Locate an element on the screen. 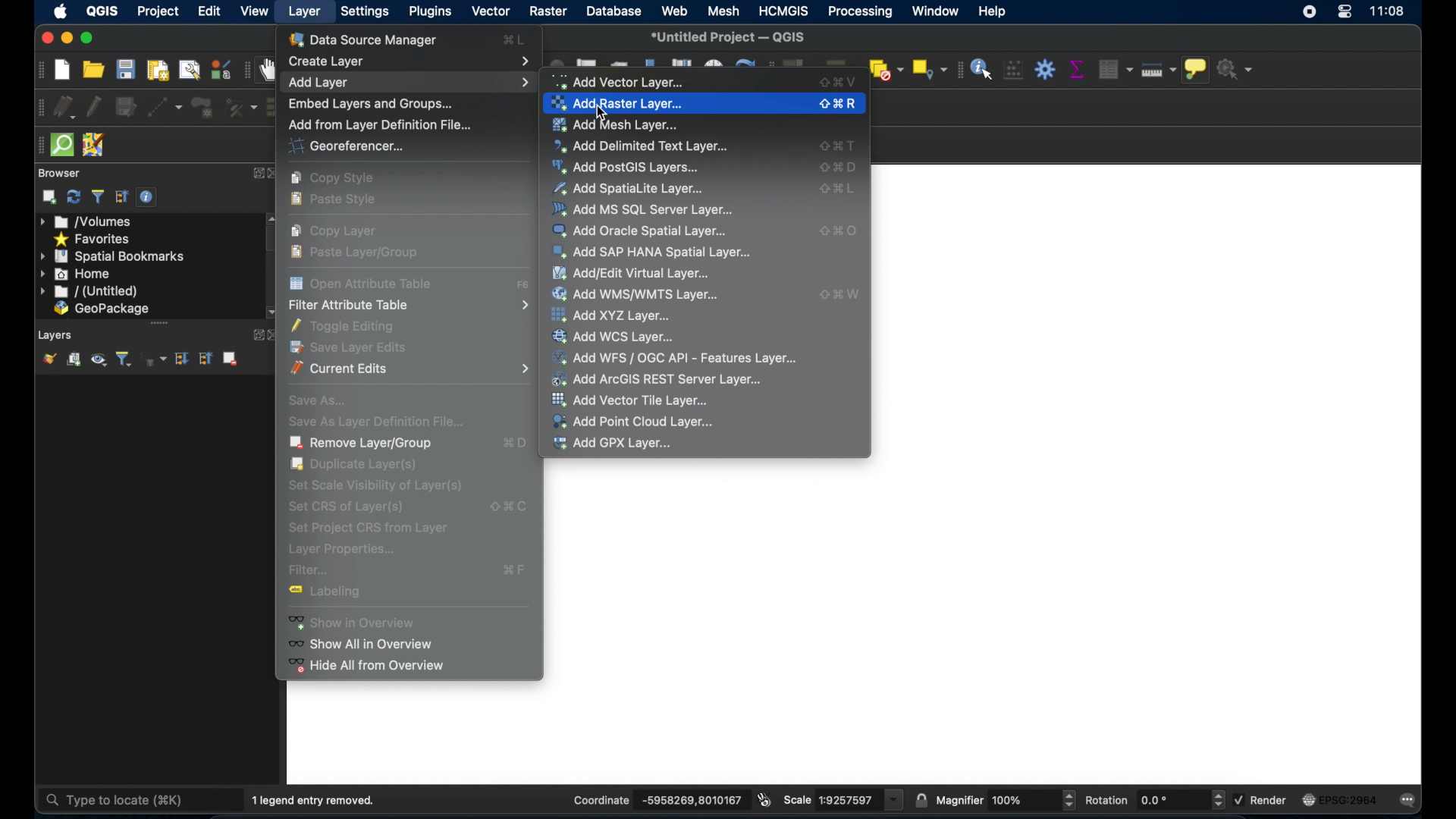 The width and height of the screenshot is (1456, 819). filter layer is located at coordinates (124, 359).